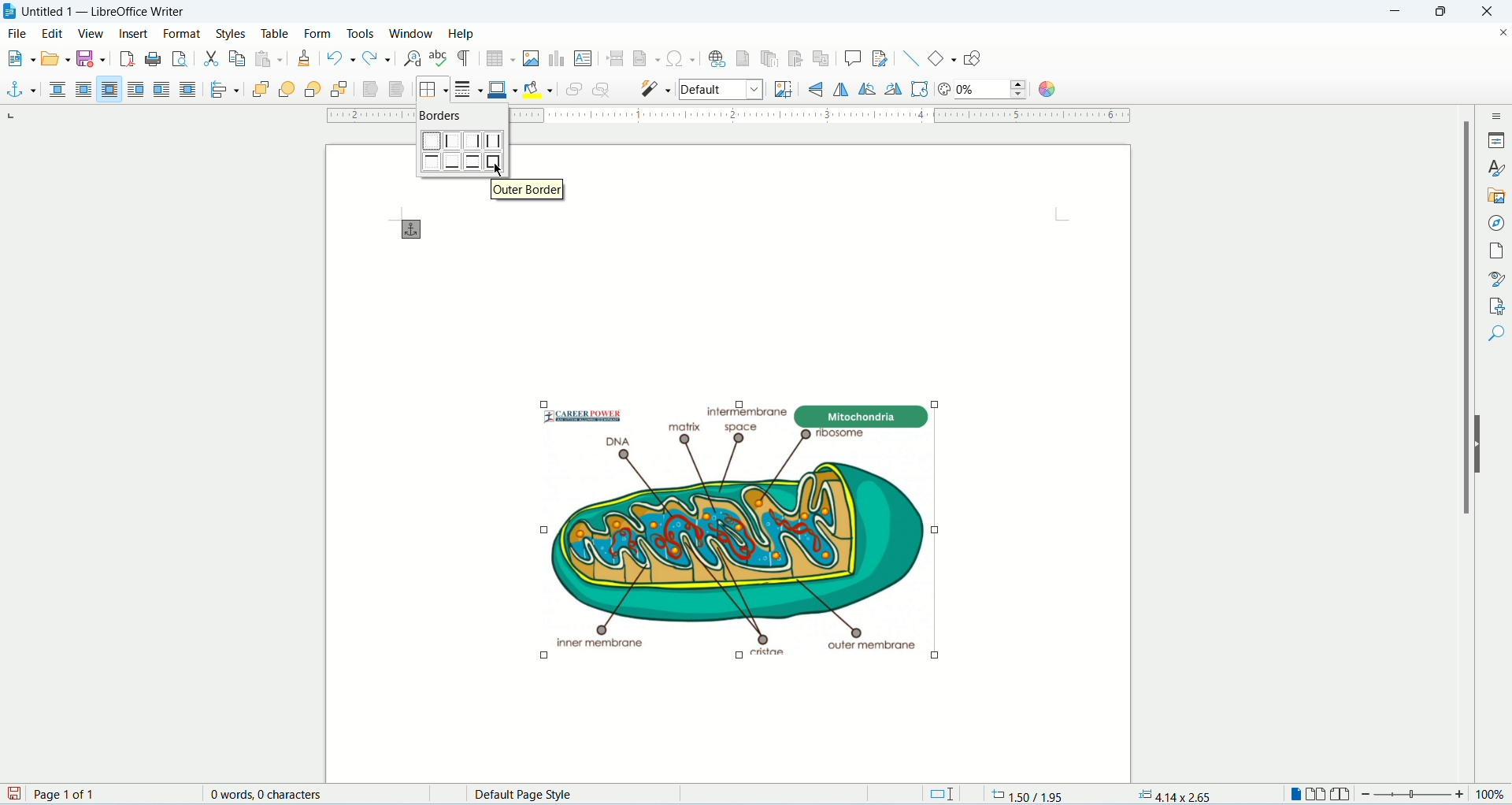 The height and width of the screenshot is (805, 1512). What do you see at coordinates (1045, 90) in the screenshot?
I see `color` at bounding box center [1045, 90].